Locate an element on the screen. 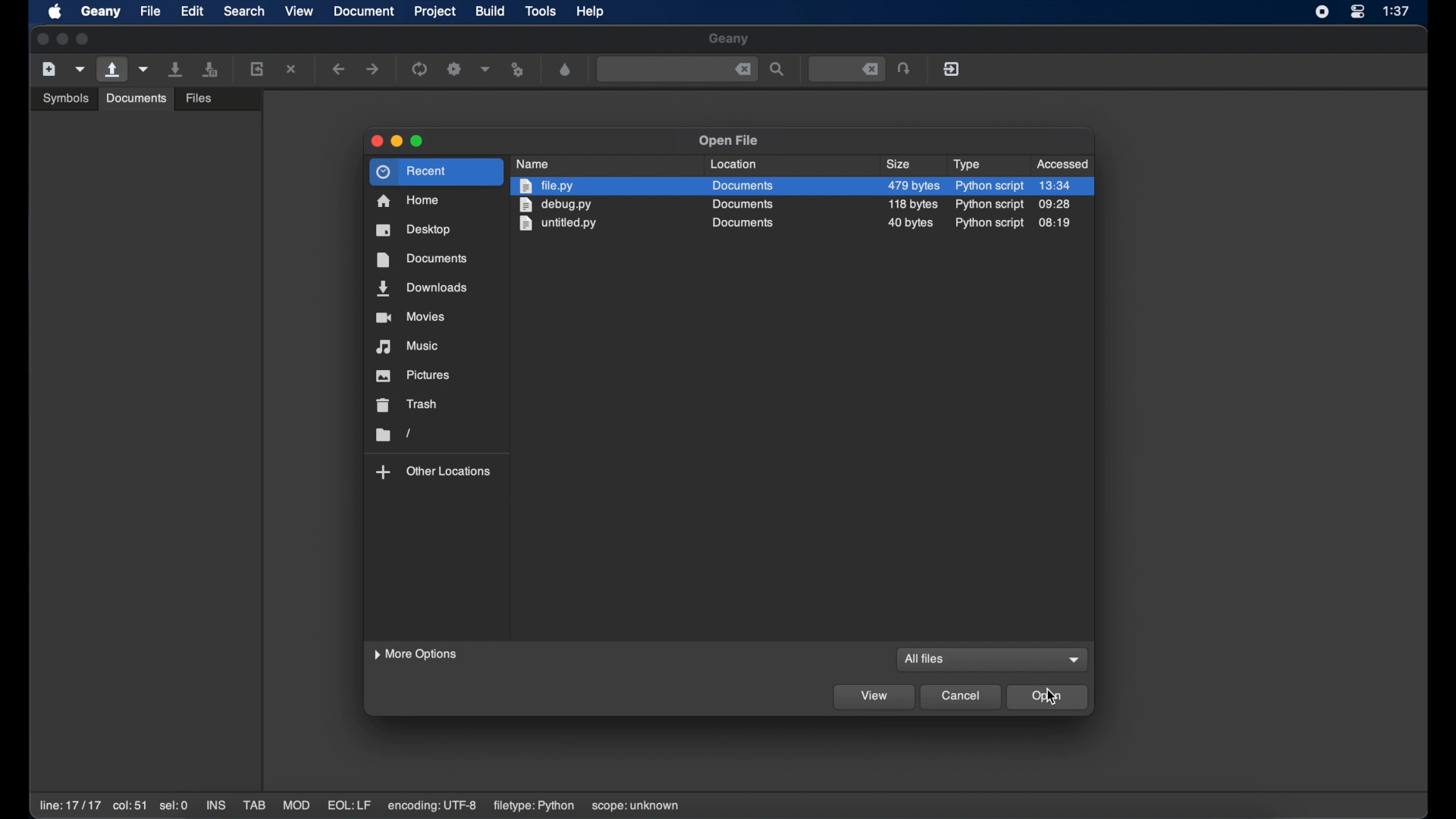 The height and width of the screenshot is (819, 1456). help is located at coordinates (591, 11).